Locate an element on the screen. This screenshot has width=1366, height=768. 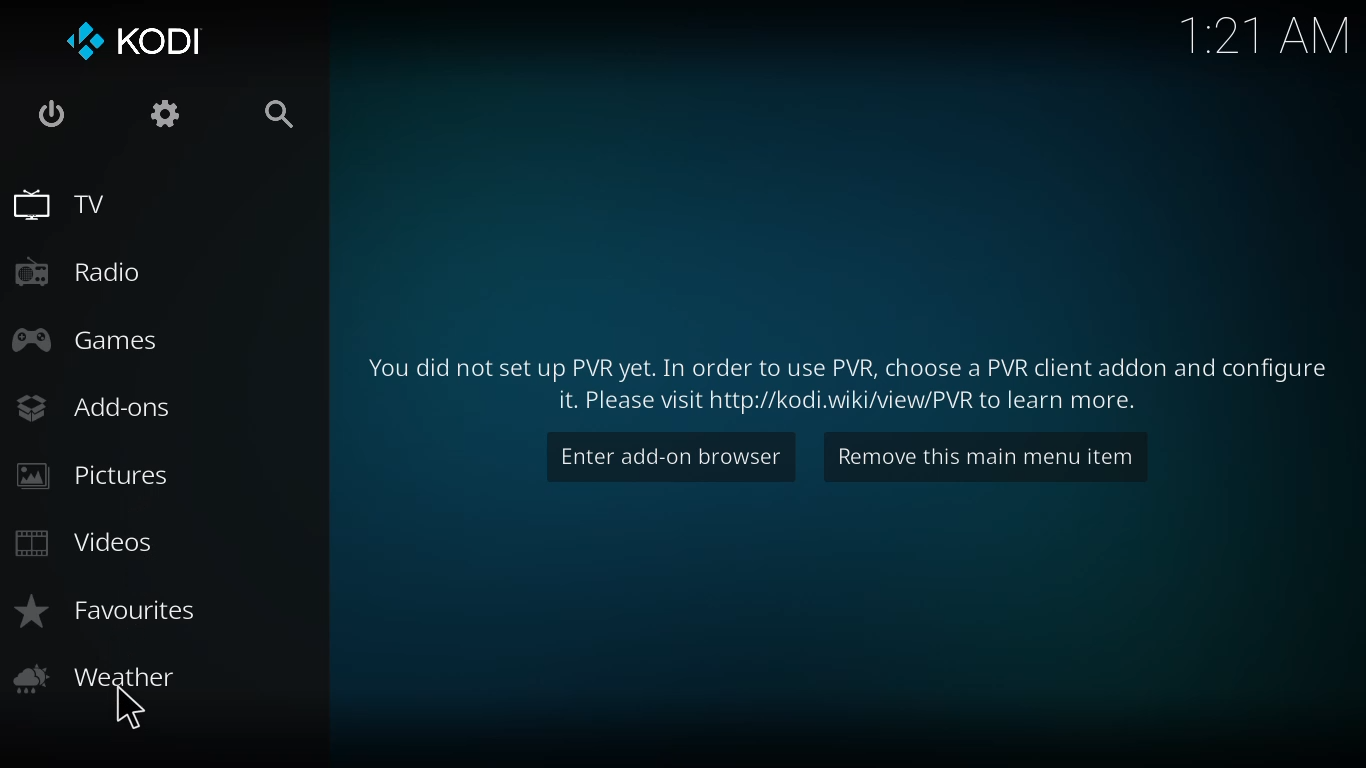
favorites is located at coordinates (106, 610).